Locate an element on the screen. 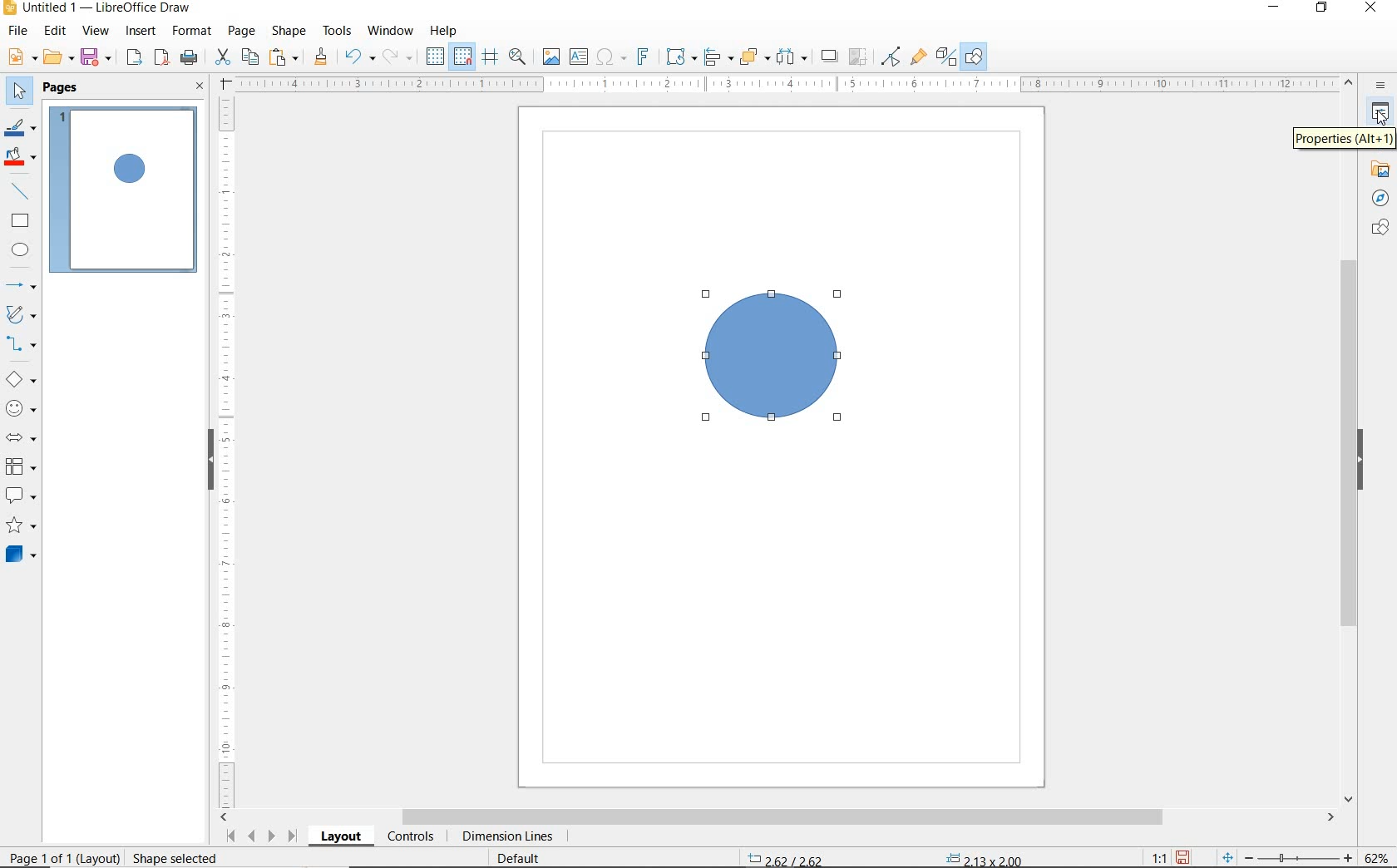  hide is located at coordinates (201, 462).